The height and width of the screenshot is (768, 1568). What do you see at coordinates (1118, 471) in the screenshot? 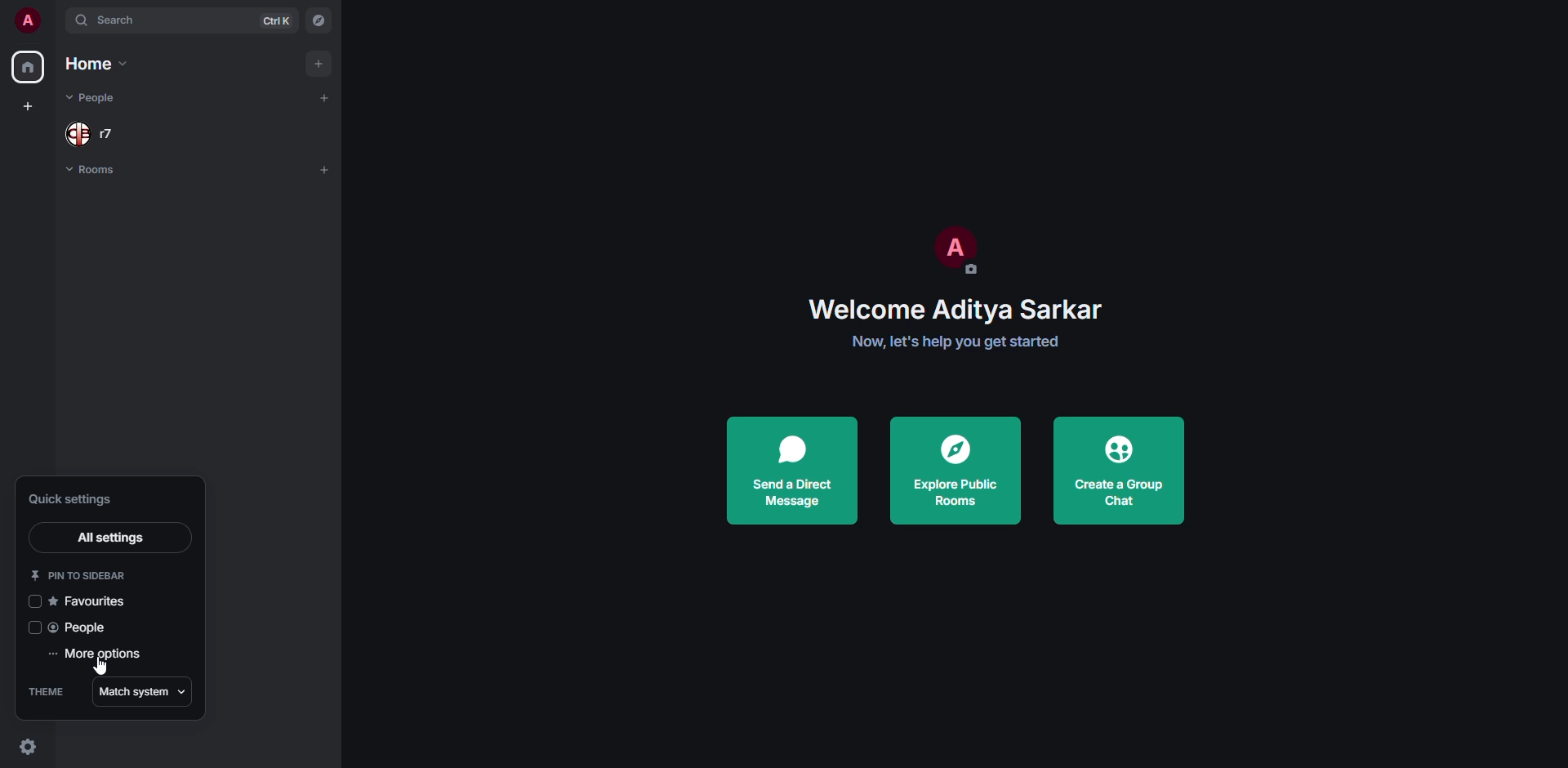
I see `create a group chat` at bounding box center [1118, 471].